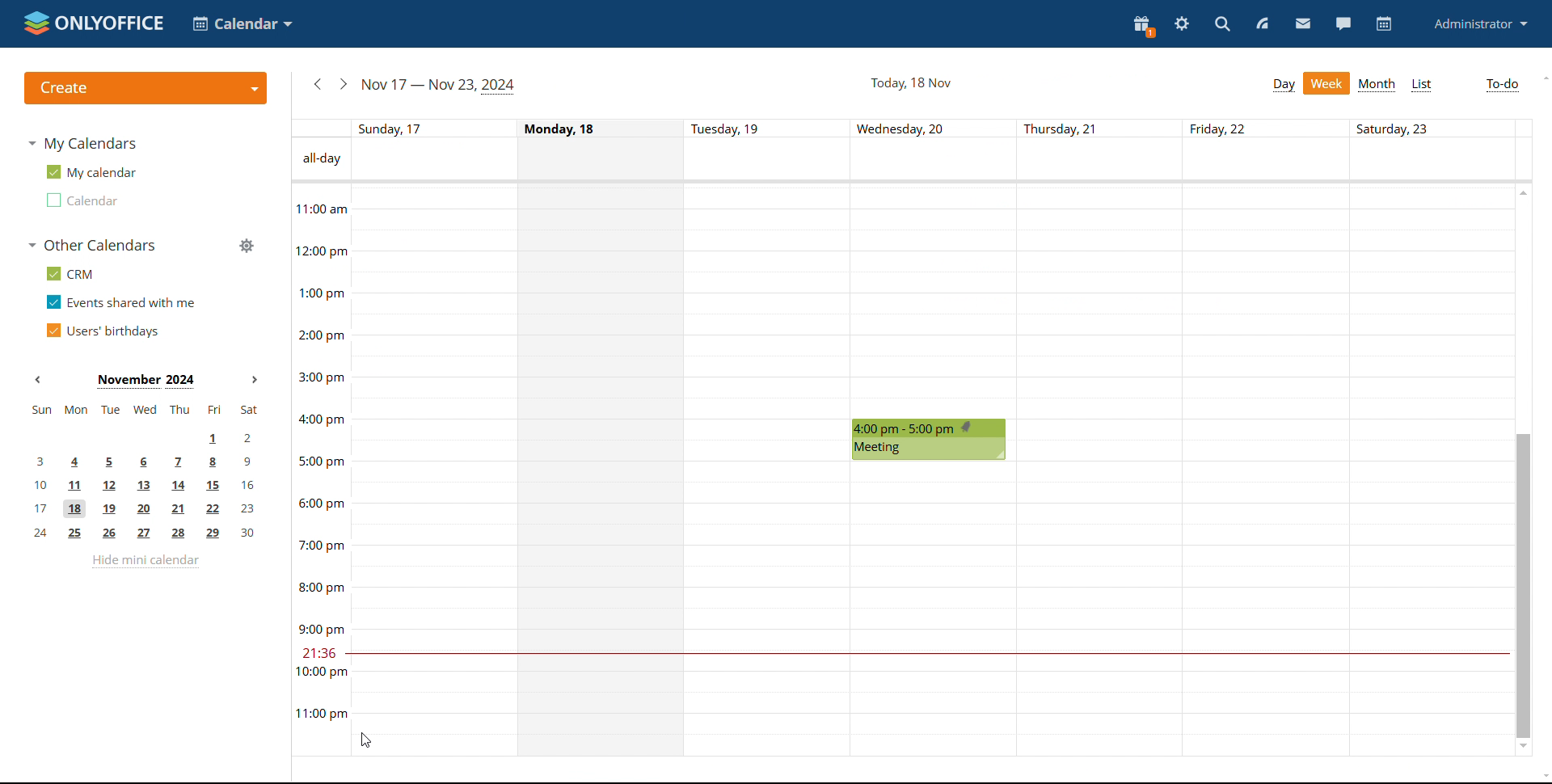 Image resolution: width=1552 pixels, height=784 pixels. What do you see at coordinates (1303, 25) in the screenshot?
I see `mail` at bounding box center [1303, 25].